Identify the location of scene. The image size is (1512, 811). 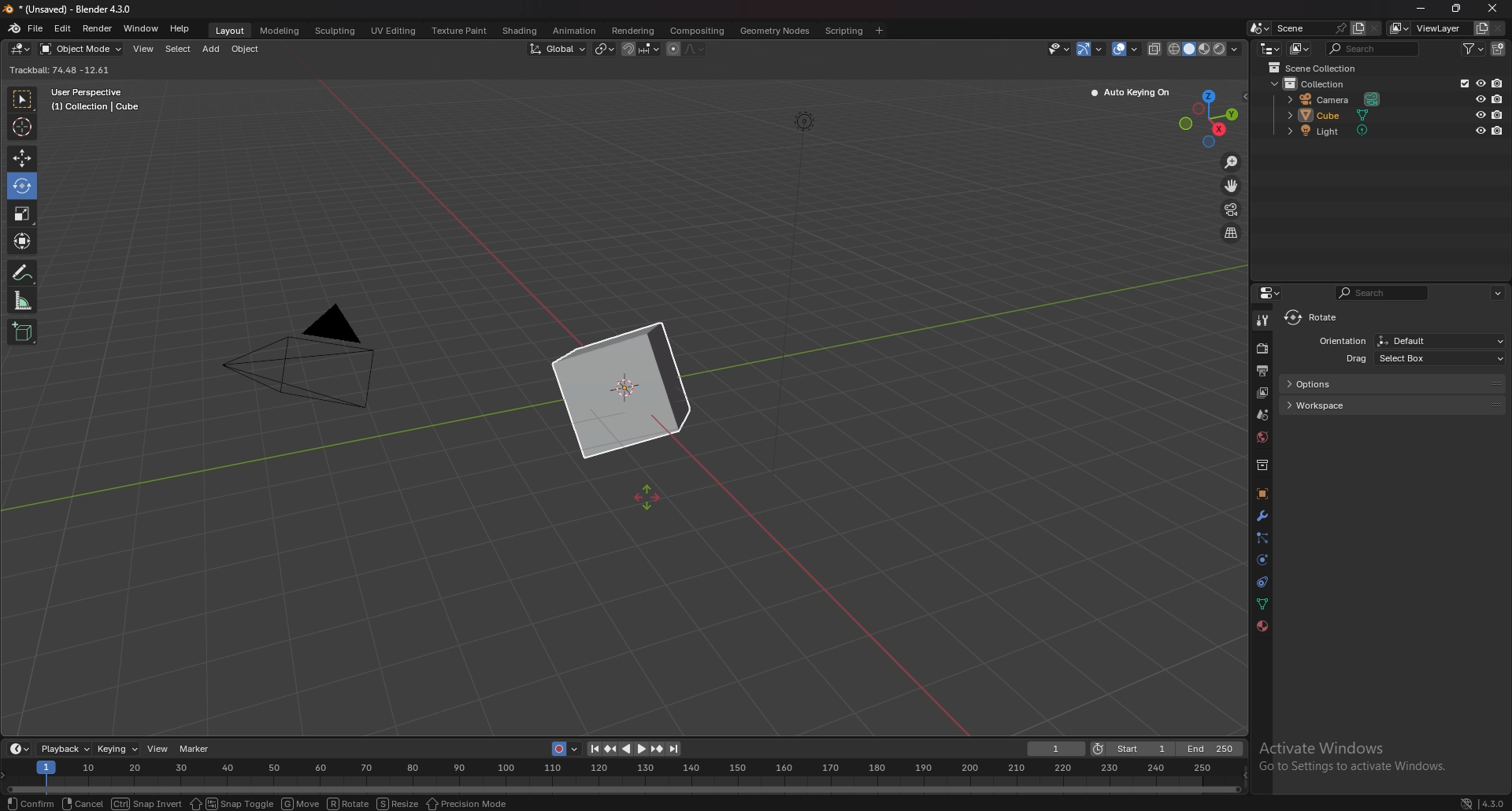
(1311, 28).